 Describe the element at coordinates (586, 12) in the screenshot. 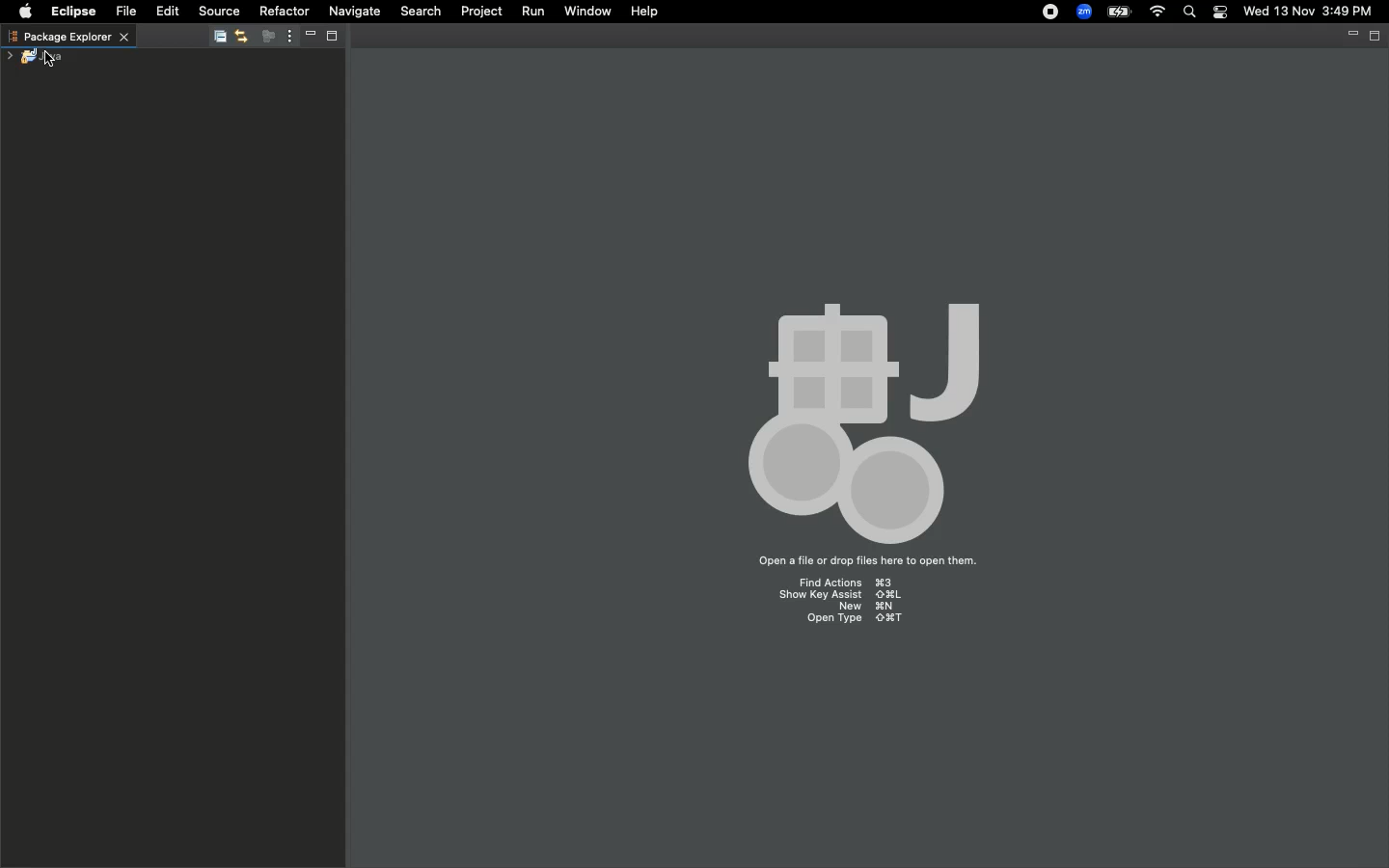

I see `Window` at that location.